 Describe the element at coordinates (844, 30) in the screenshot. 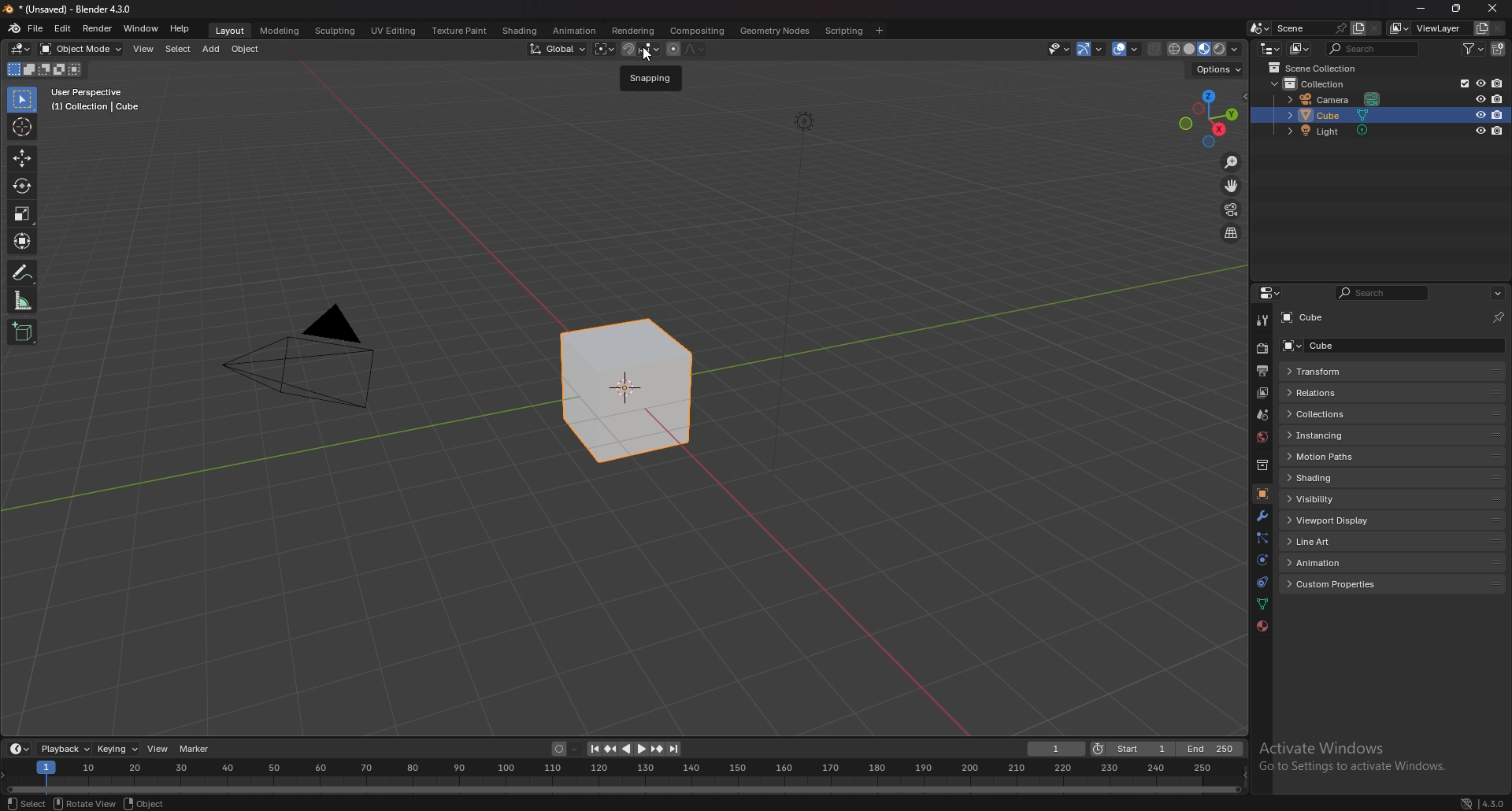

I see `scripting` at that location.